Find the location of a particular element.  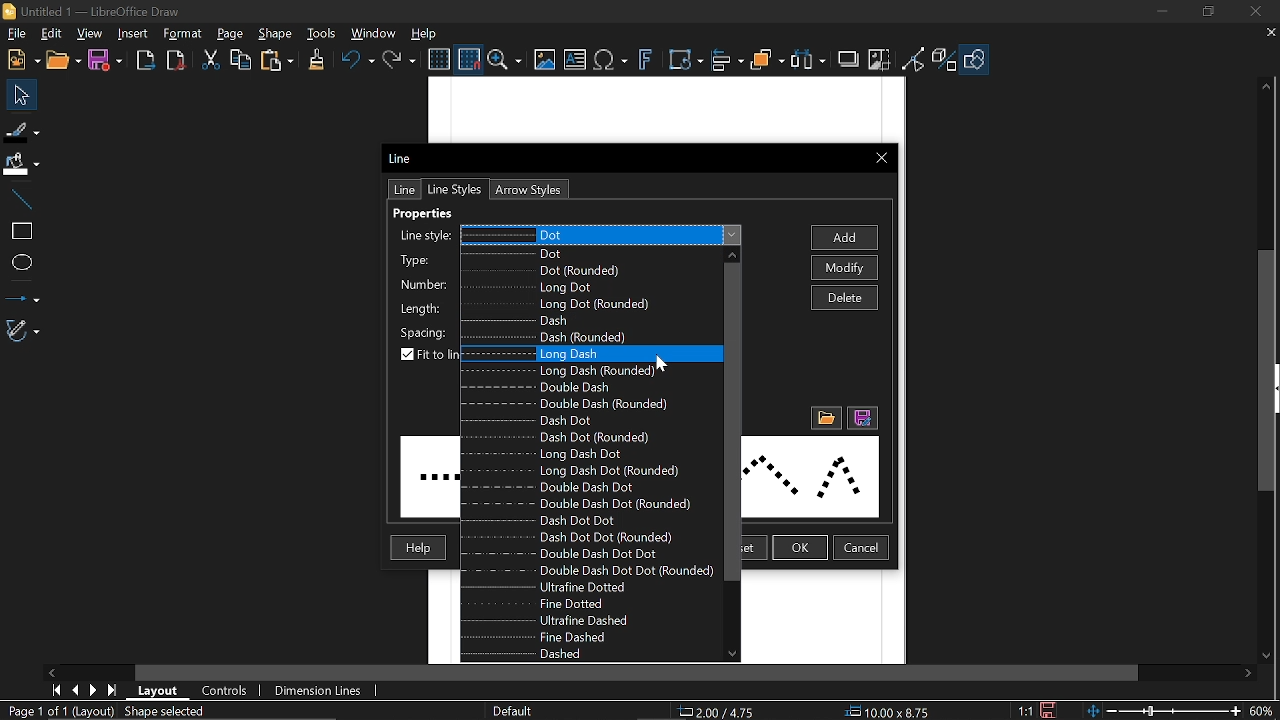

Current page is located at coordinates (58, 711).